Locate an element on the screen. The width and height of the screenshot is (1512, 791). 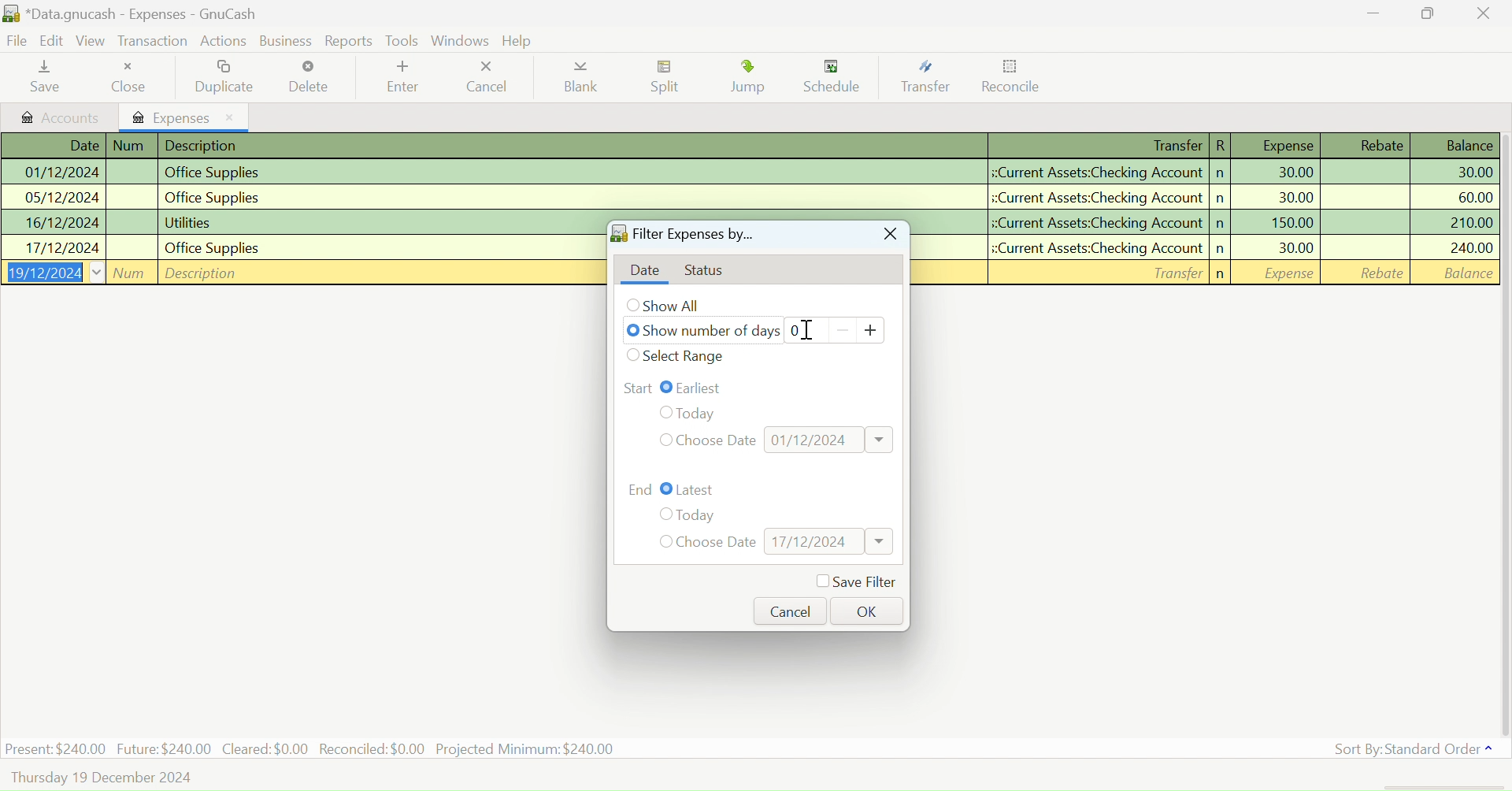
Checkbox is located at coordinates (667, 489).